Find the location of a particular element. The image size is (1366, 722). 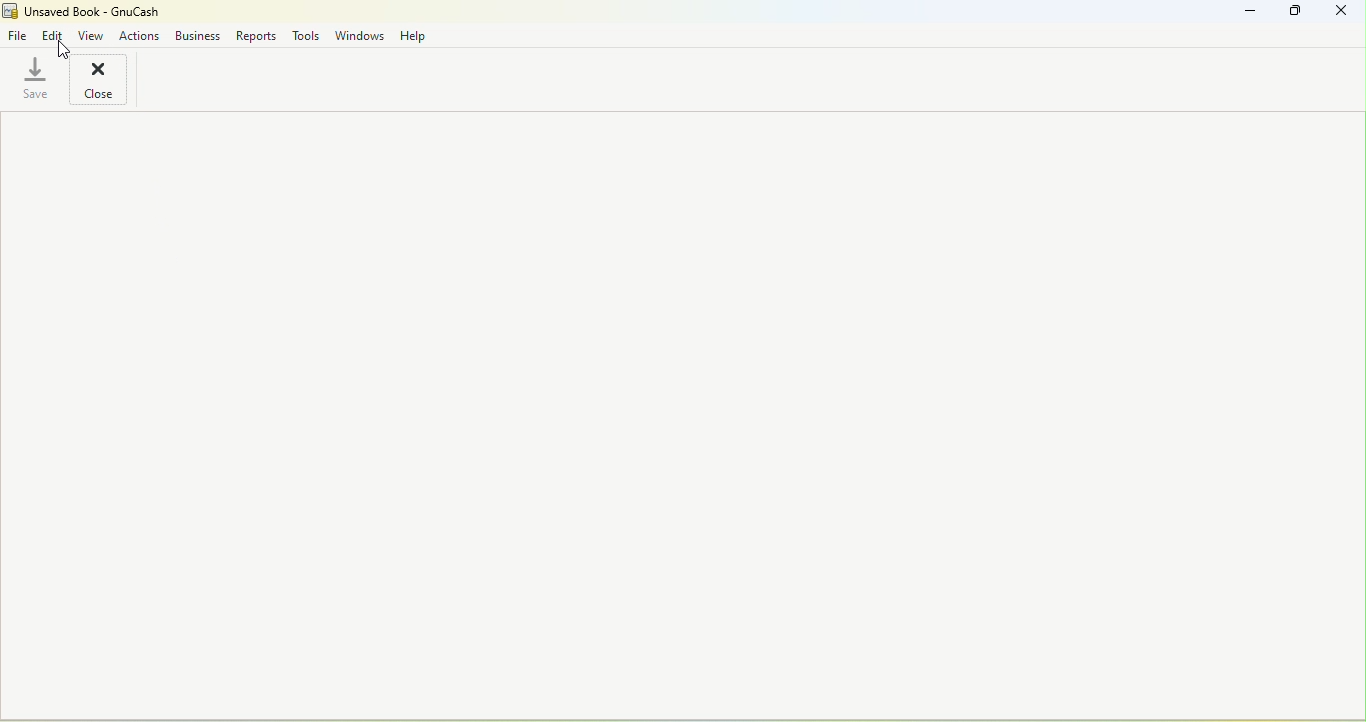

Save is located at coordinates (33, 79).